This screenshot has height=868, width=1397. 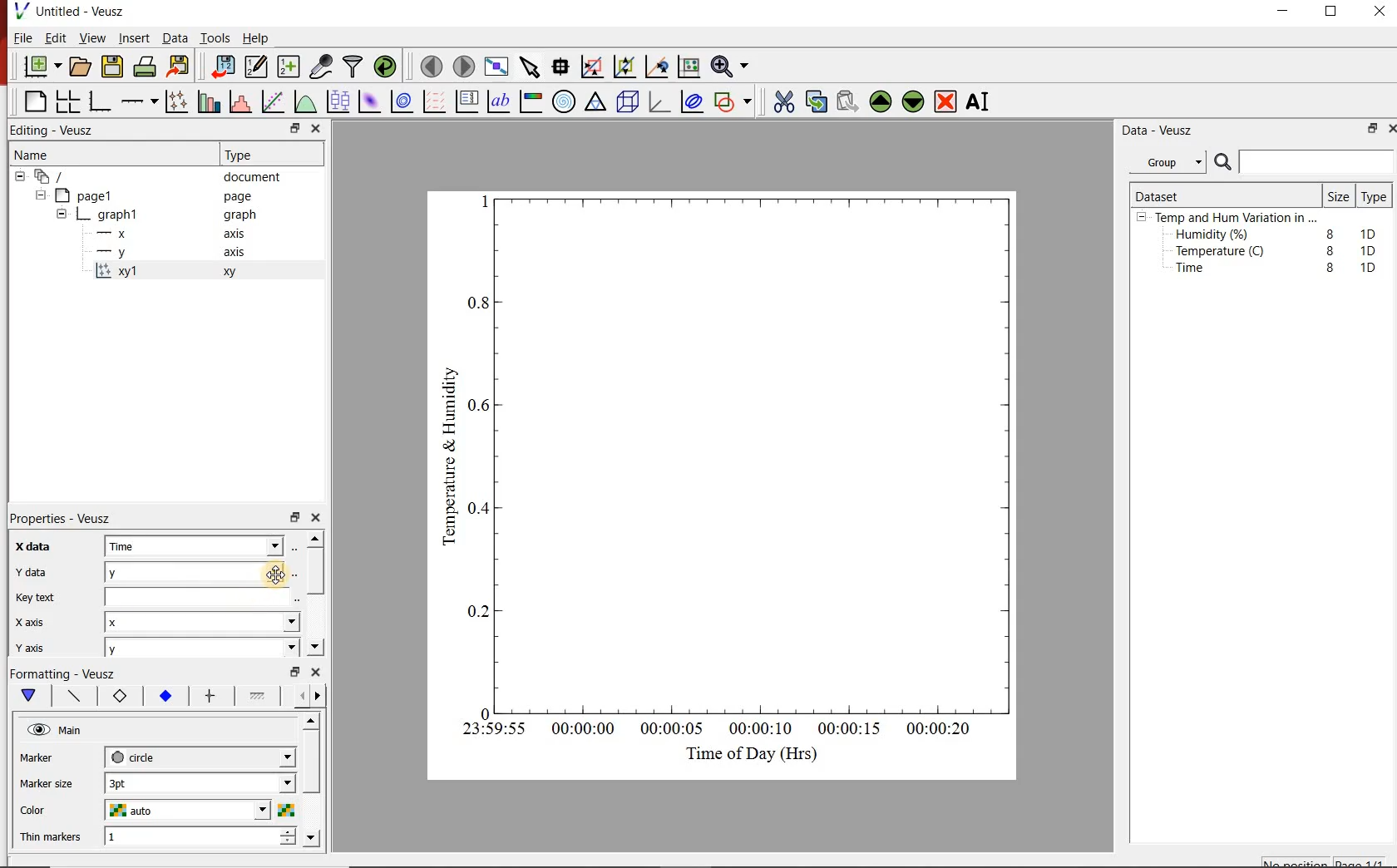 I want to click on Plot points with lines and error bars, so click(x=176, y=100).